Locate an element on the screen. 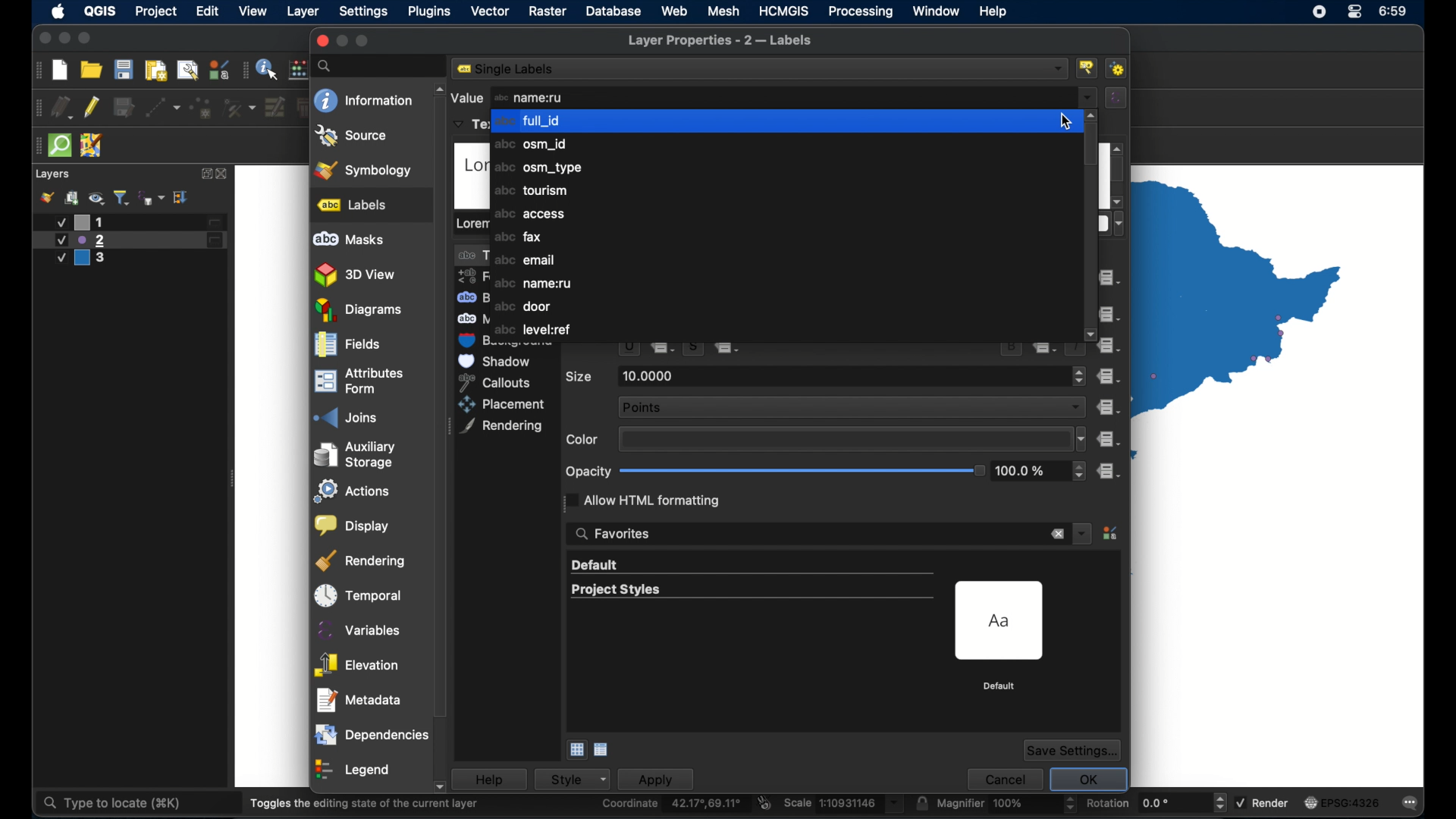 The image size is (1456, 819). rendering is located at coordinates (502, 427).